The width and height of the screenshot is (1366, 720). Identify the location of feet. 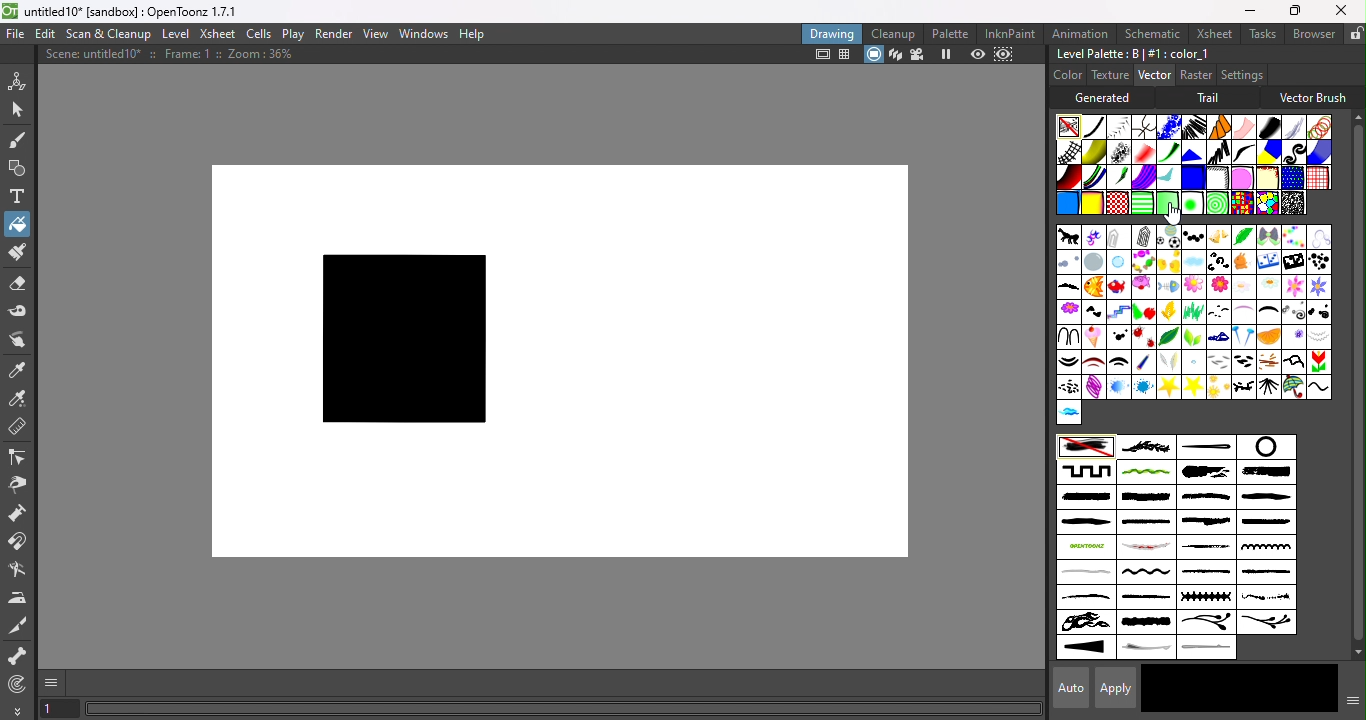
(1094, 313).